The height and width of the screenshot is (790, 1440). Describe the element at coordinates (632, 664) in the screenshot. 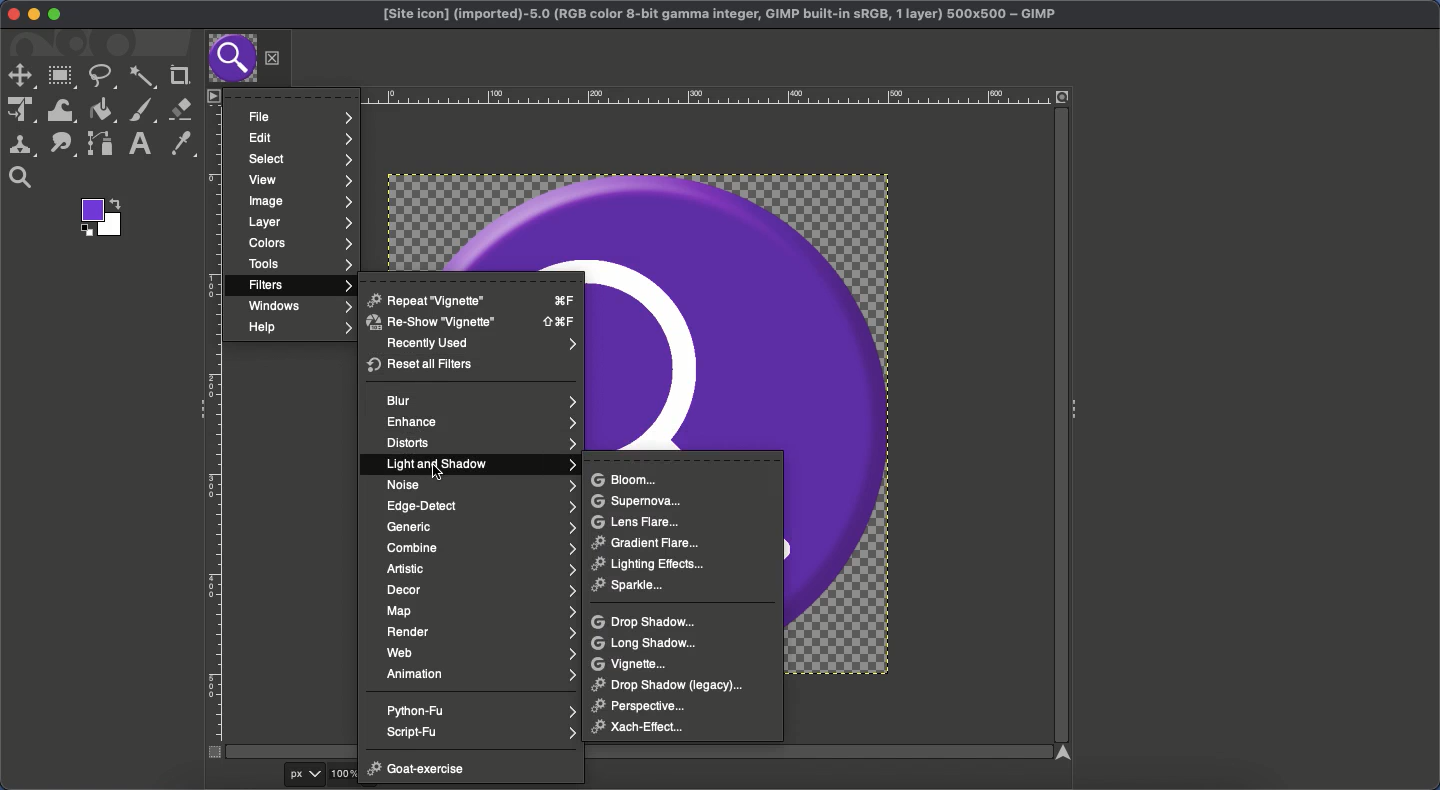

I see `Vignette` at that location.